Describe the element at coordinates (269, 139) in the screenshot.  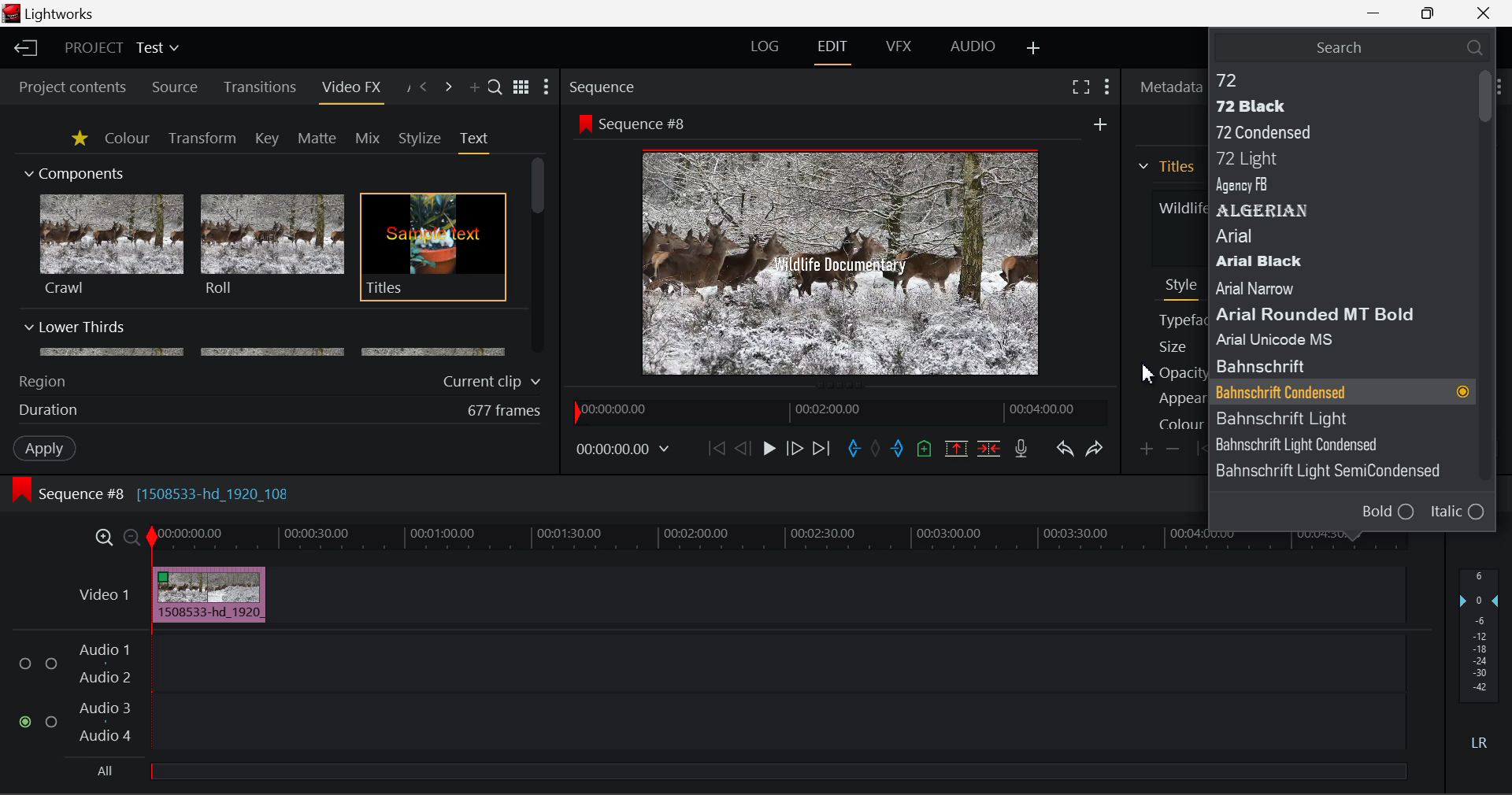
I see `Key` at that location.